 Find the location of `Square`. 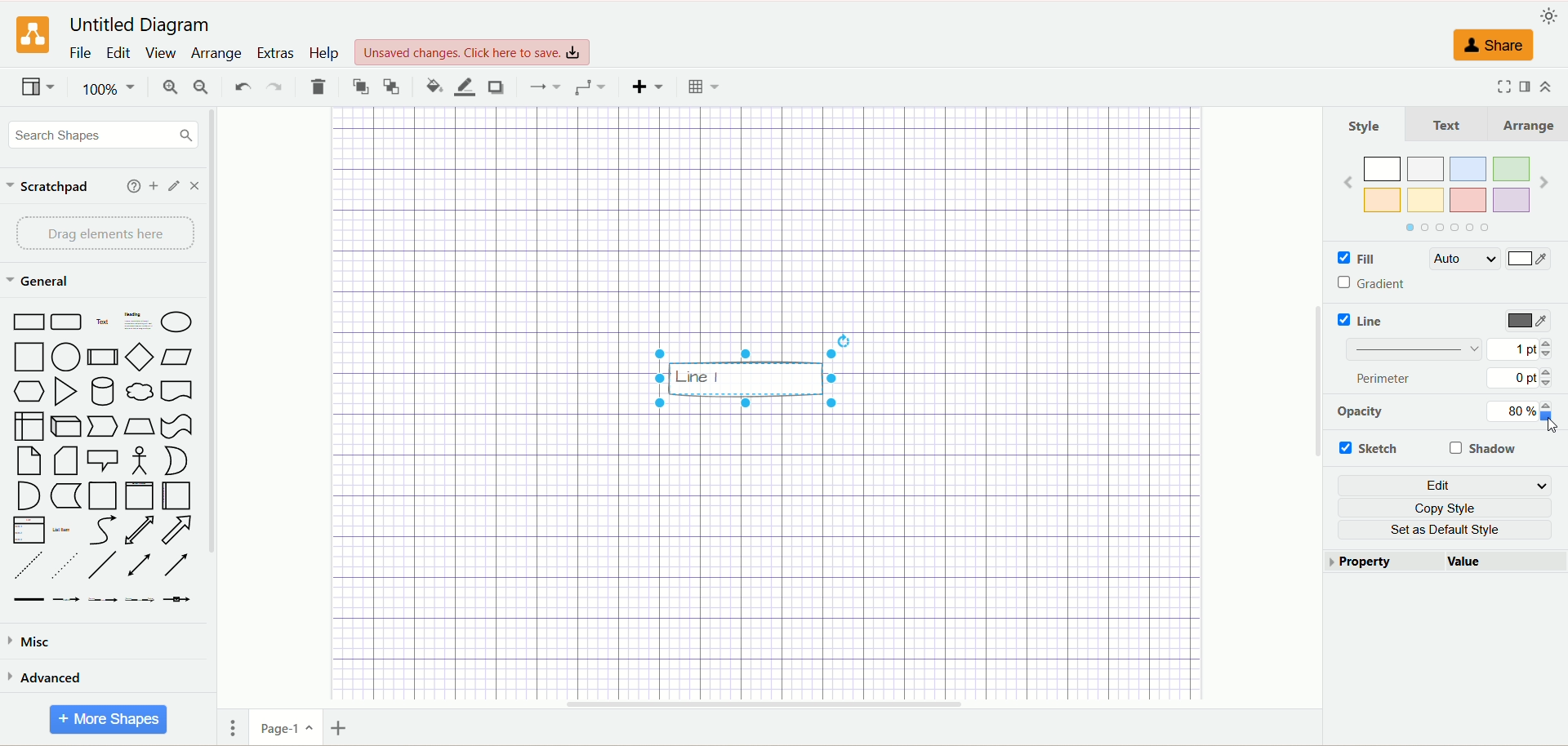

Square is located at coordinates (27, 358).